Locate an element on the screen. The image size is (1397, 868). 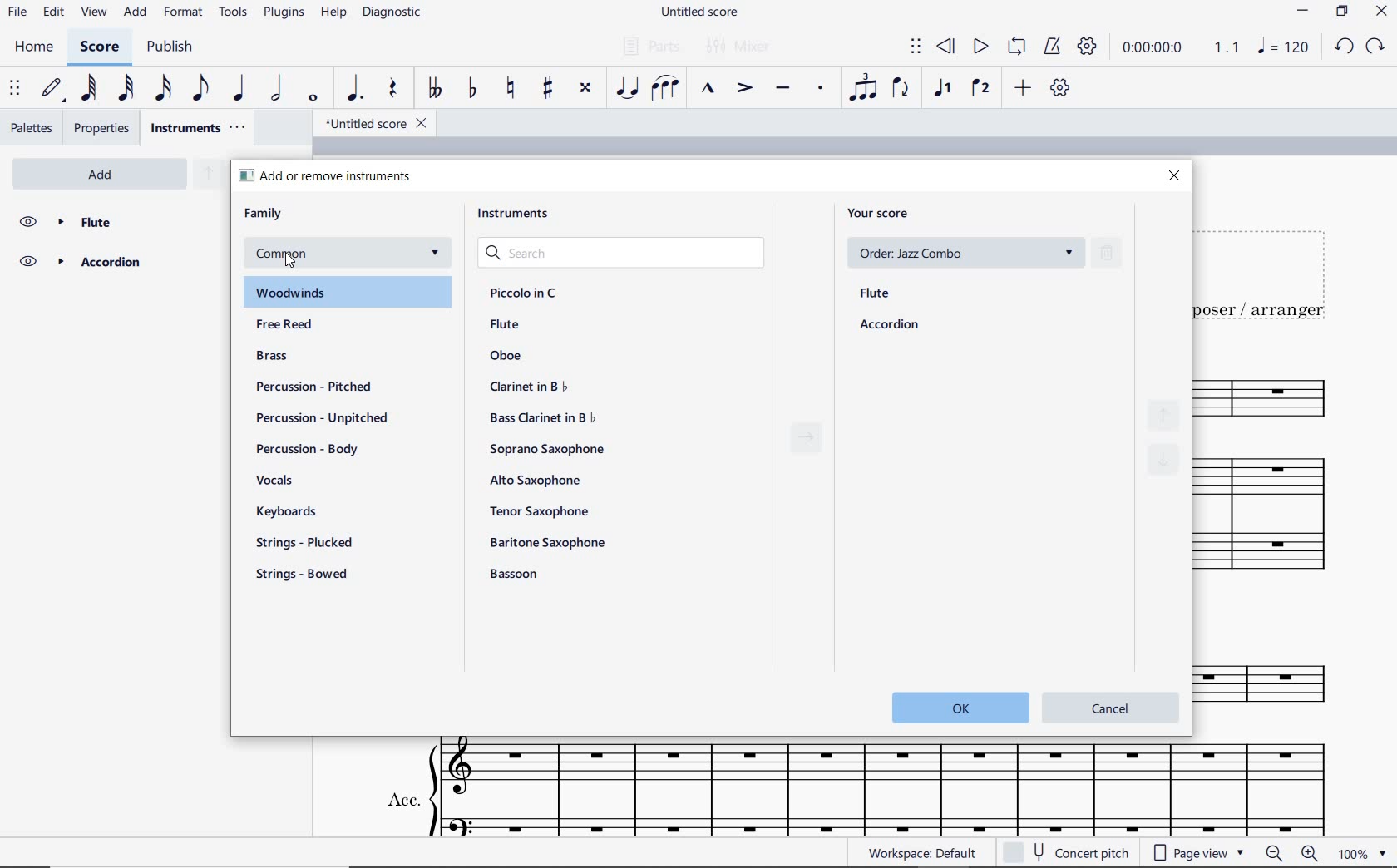
eighth note is located at coordinates (198, 90).